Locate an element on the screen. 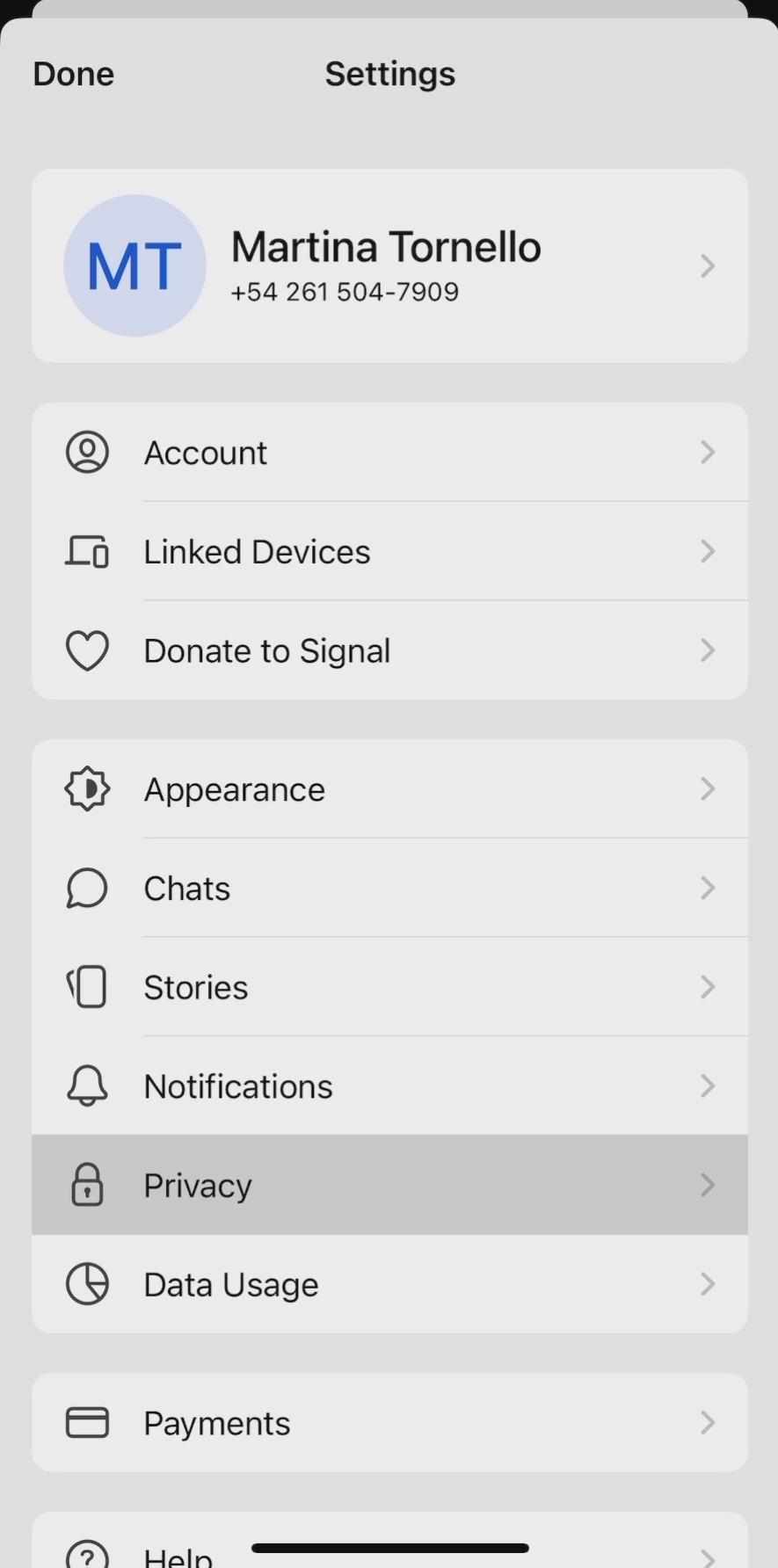 The height and width of the screenshot is (1568, 778). help is located at coordinates (392, 1543).